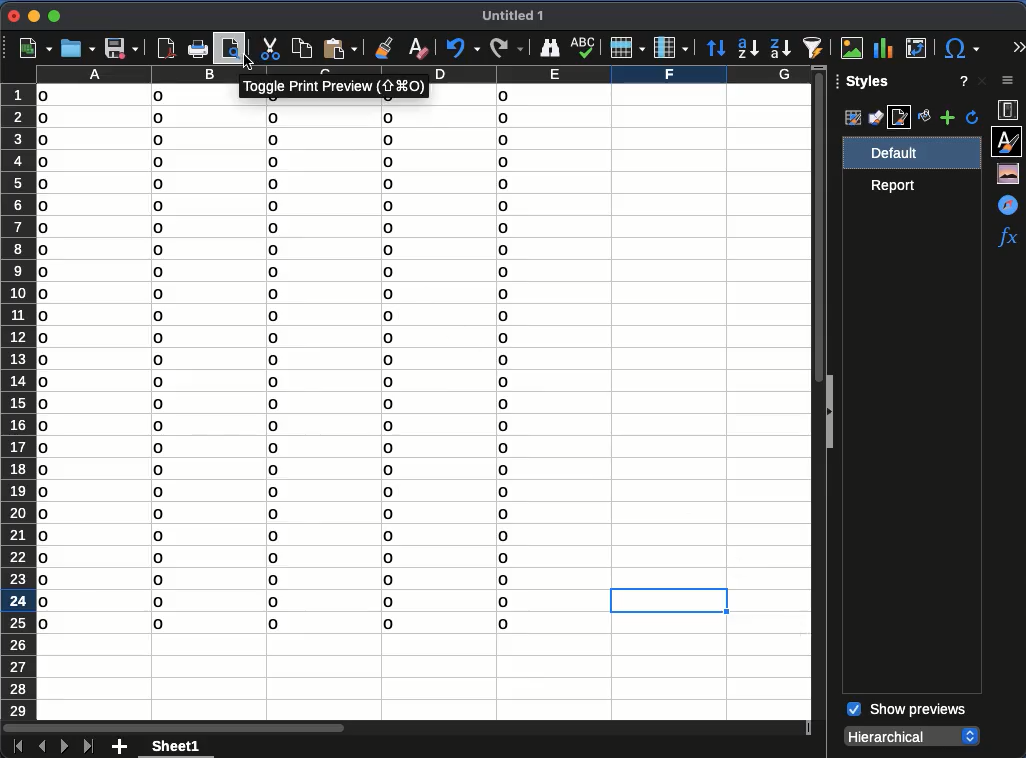  Describe the element at coordinates (13, 16) in the screenshot. I see `close` at that location.